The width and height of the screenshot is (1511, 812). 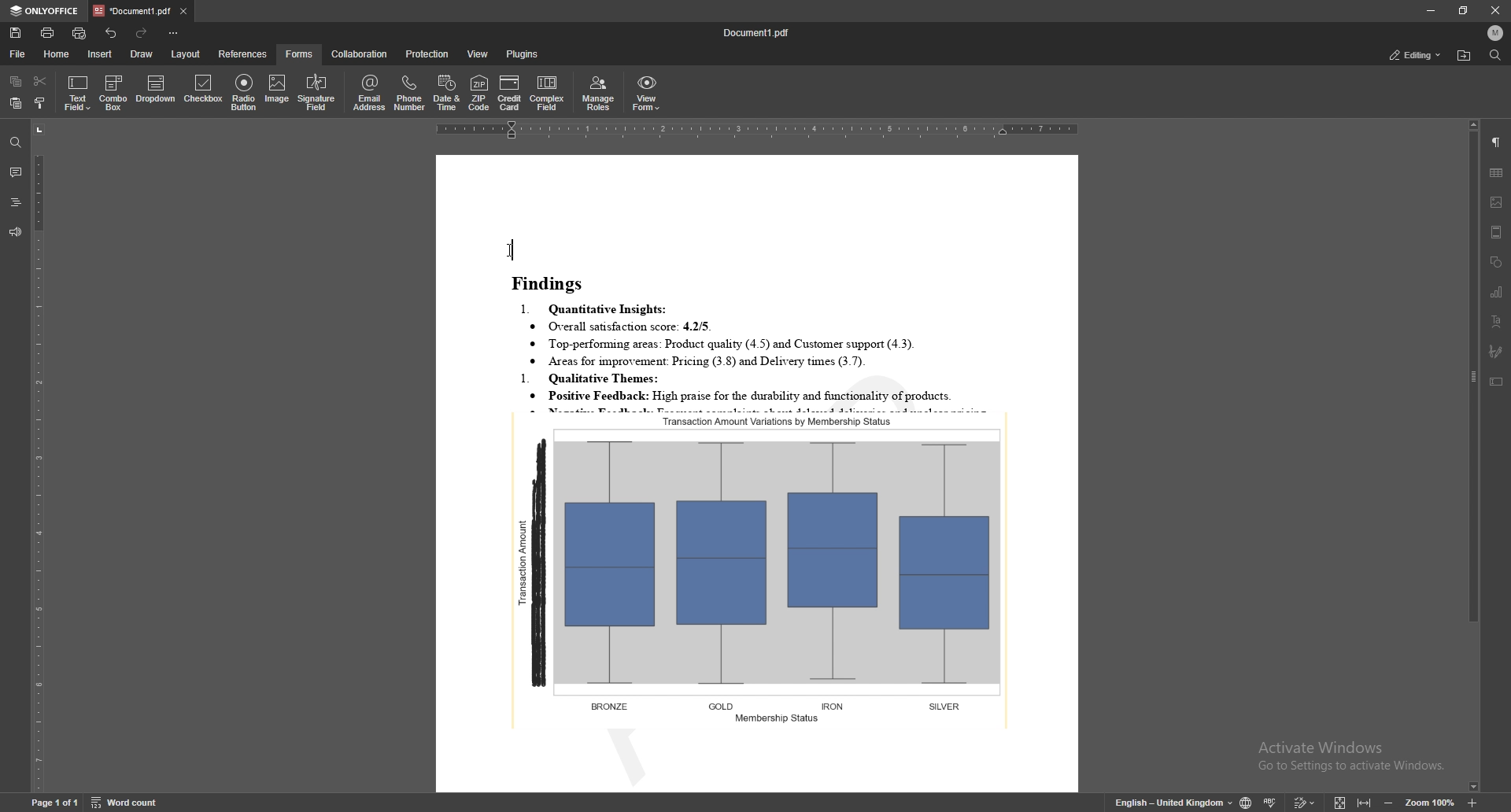 I want to click on draw, so click(x=141, y=53).